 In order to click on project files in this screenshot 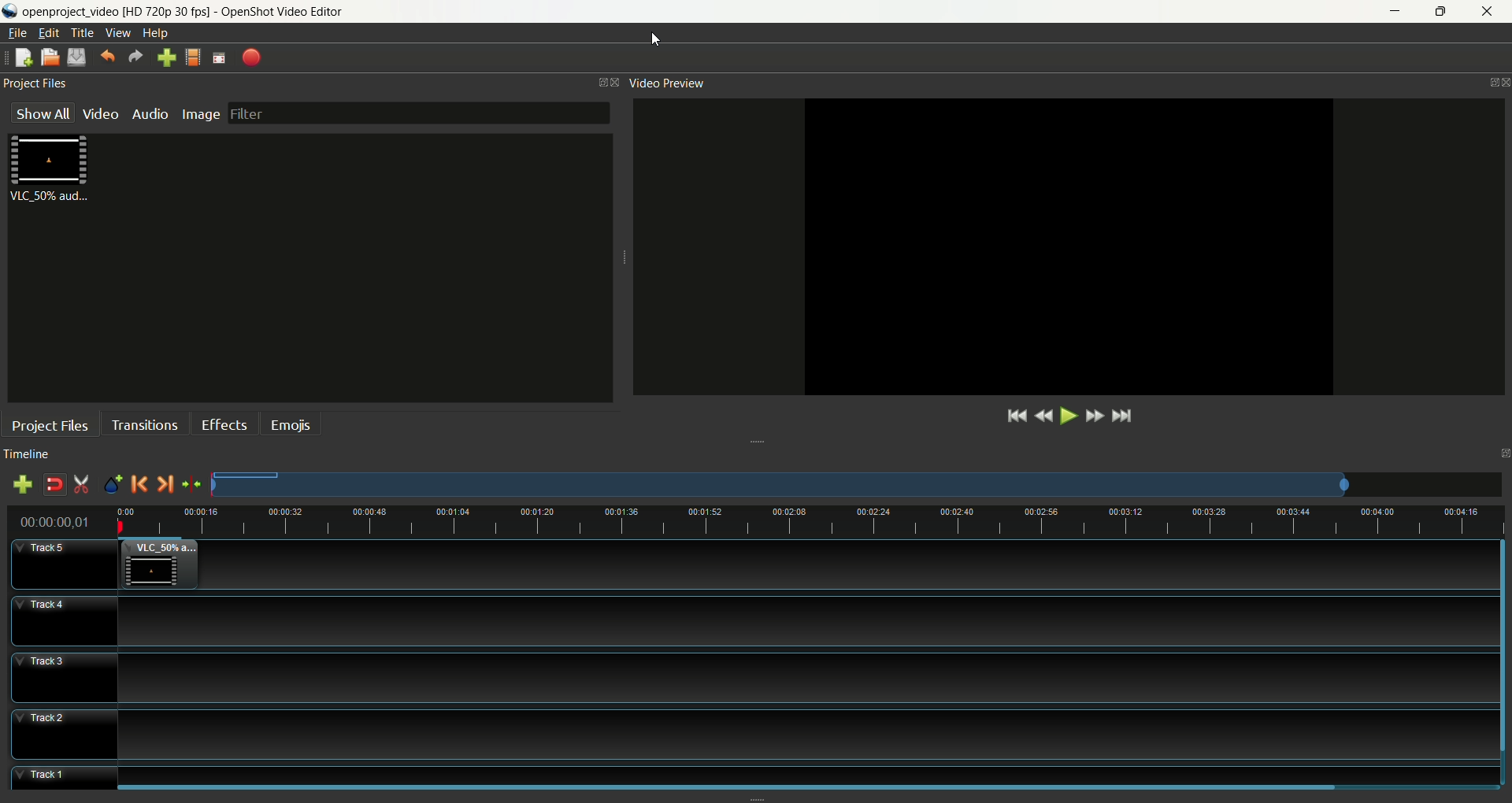, I will do `click(46, 423)`.